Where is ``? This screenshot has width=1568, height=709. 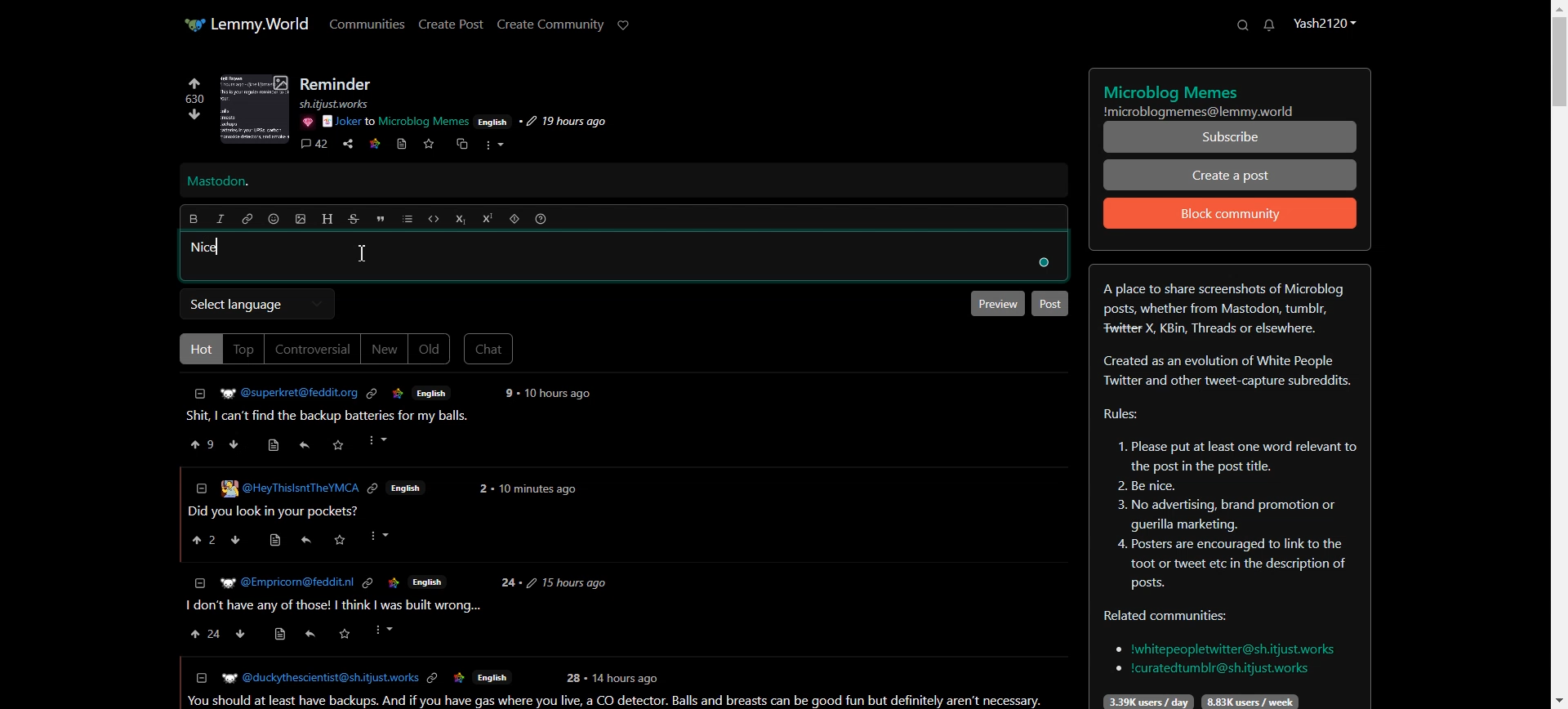
 is located at coordinates (305, 540).